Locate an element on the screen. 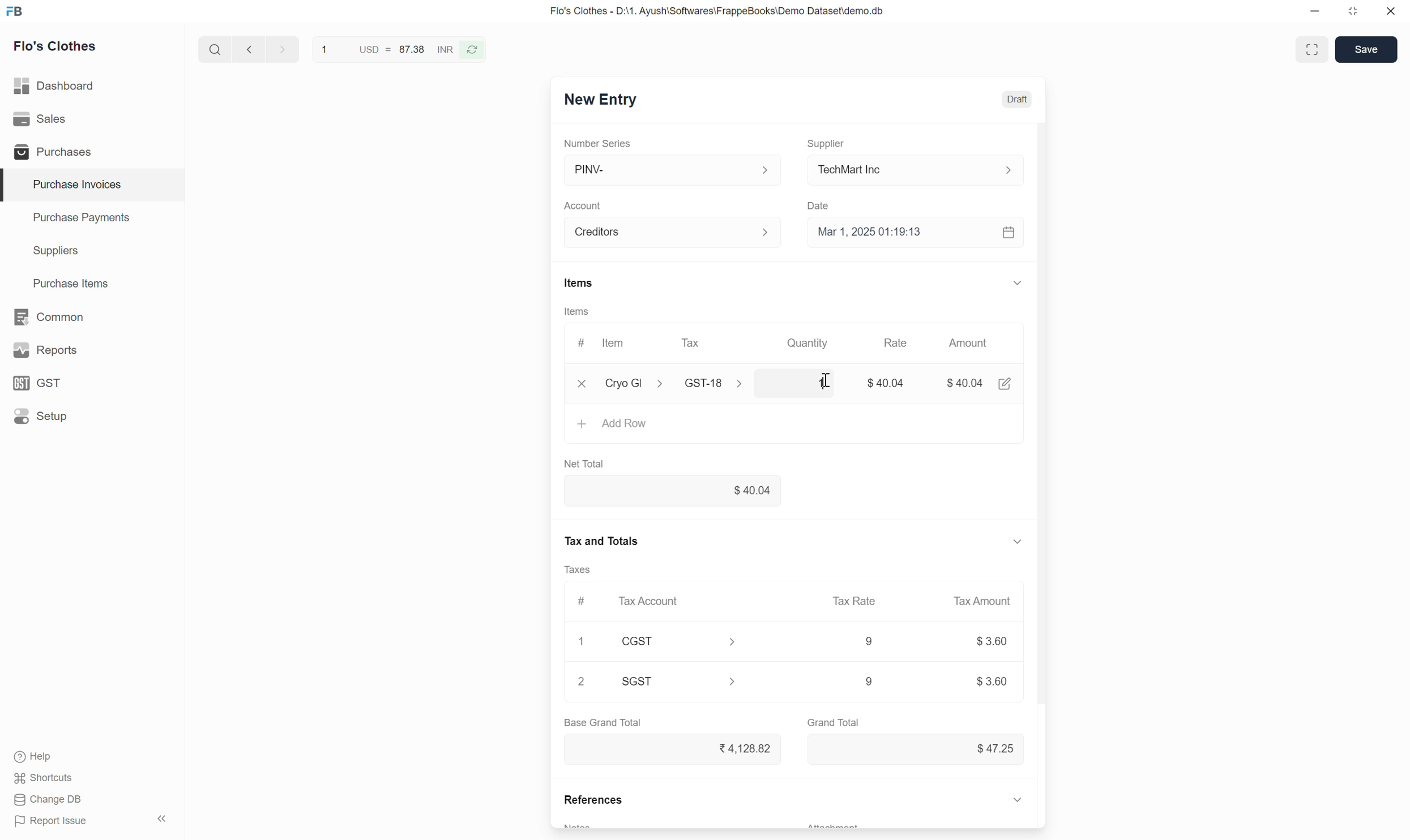 This screenshot has height=840, width=1410. Tax Account is located at coordinates (652, 600).